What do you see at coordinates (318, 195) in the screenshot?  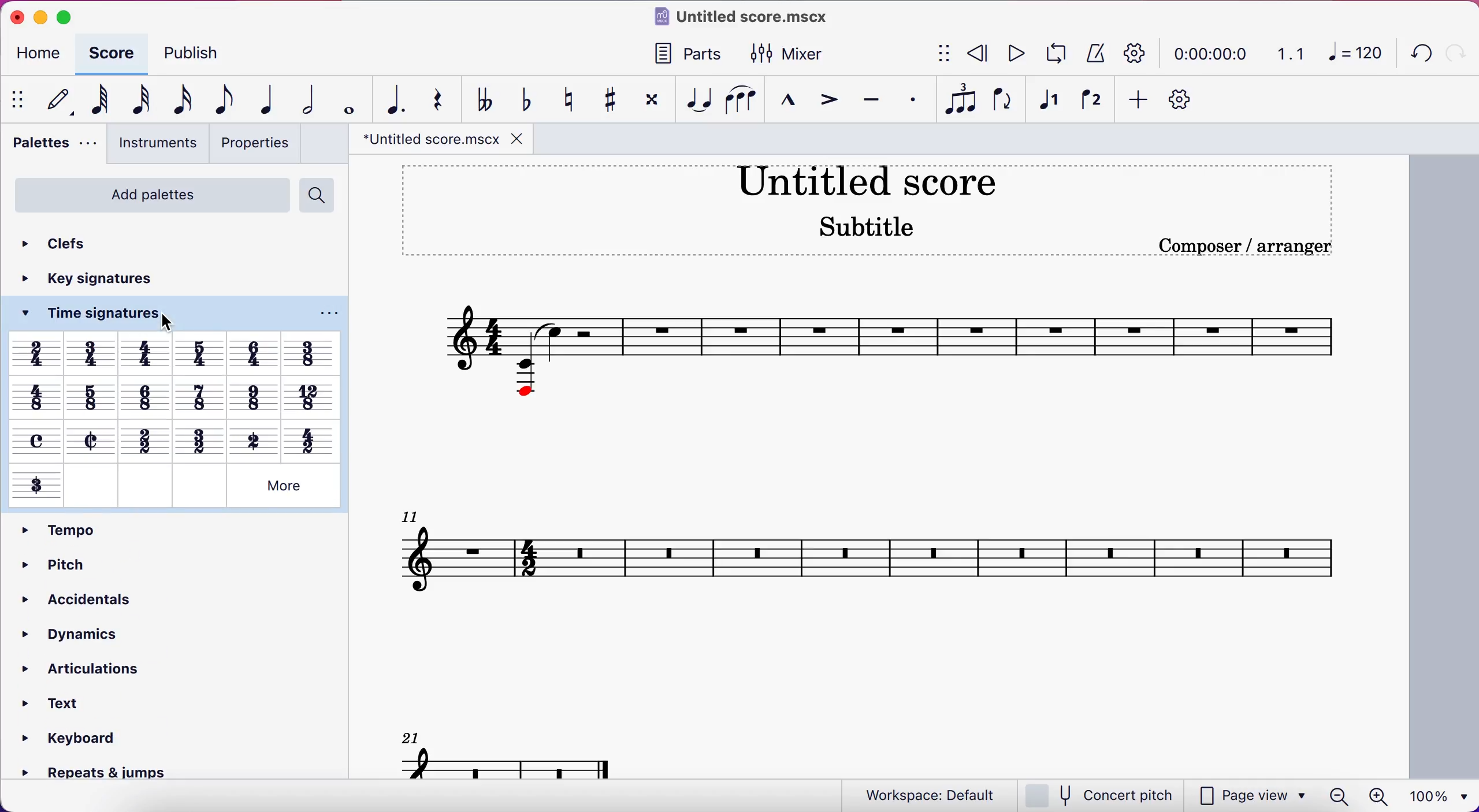 I see `search` at bounding box center [318, 195].